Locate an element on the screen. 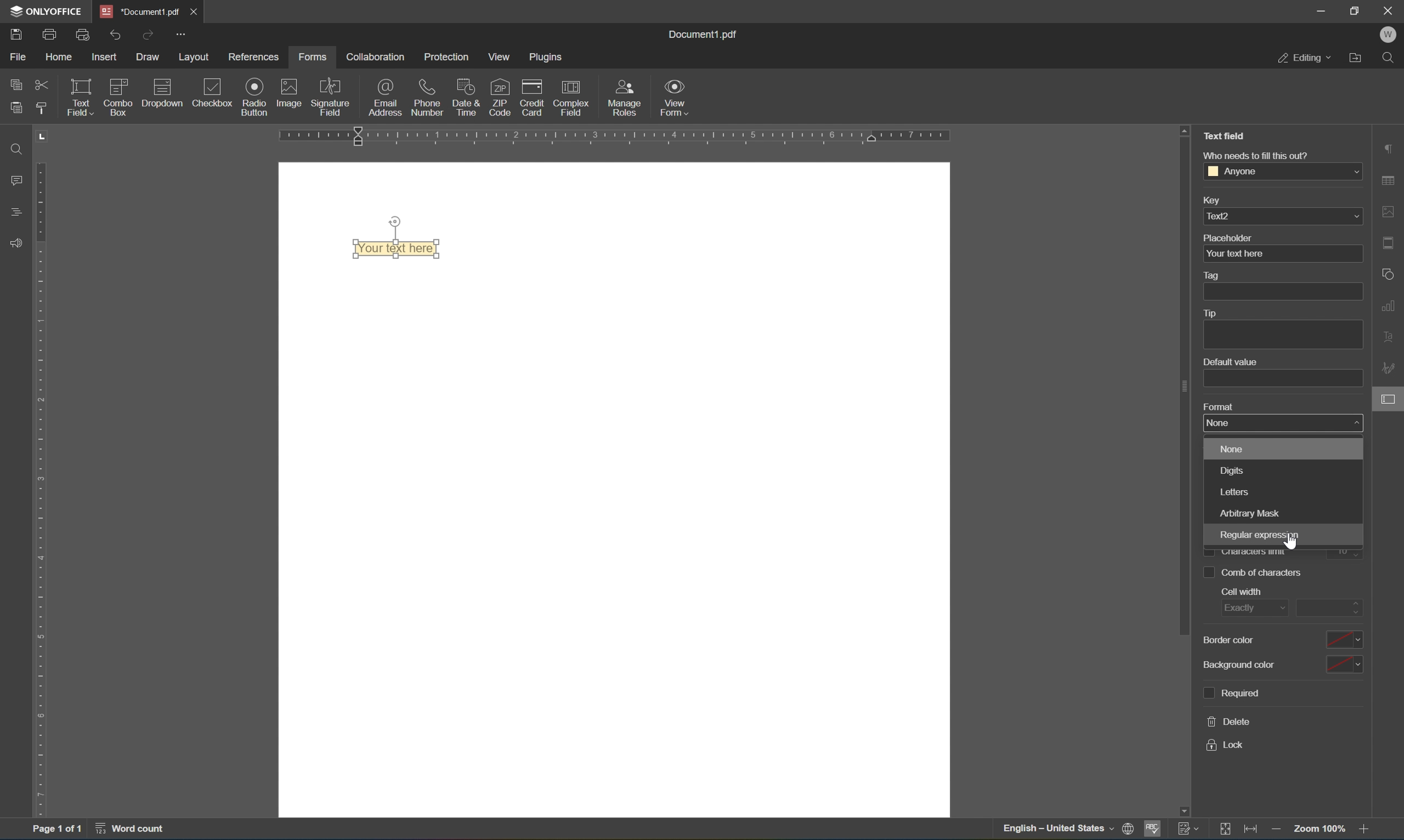 This screenshot has height=840, width=1404. text field is located at coordinates (391, 250).